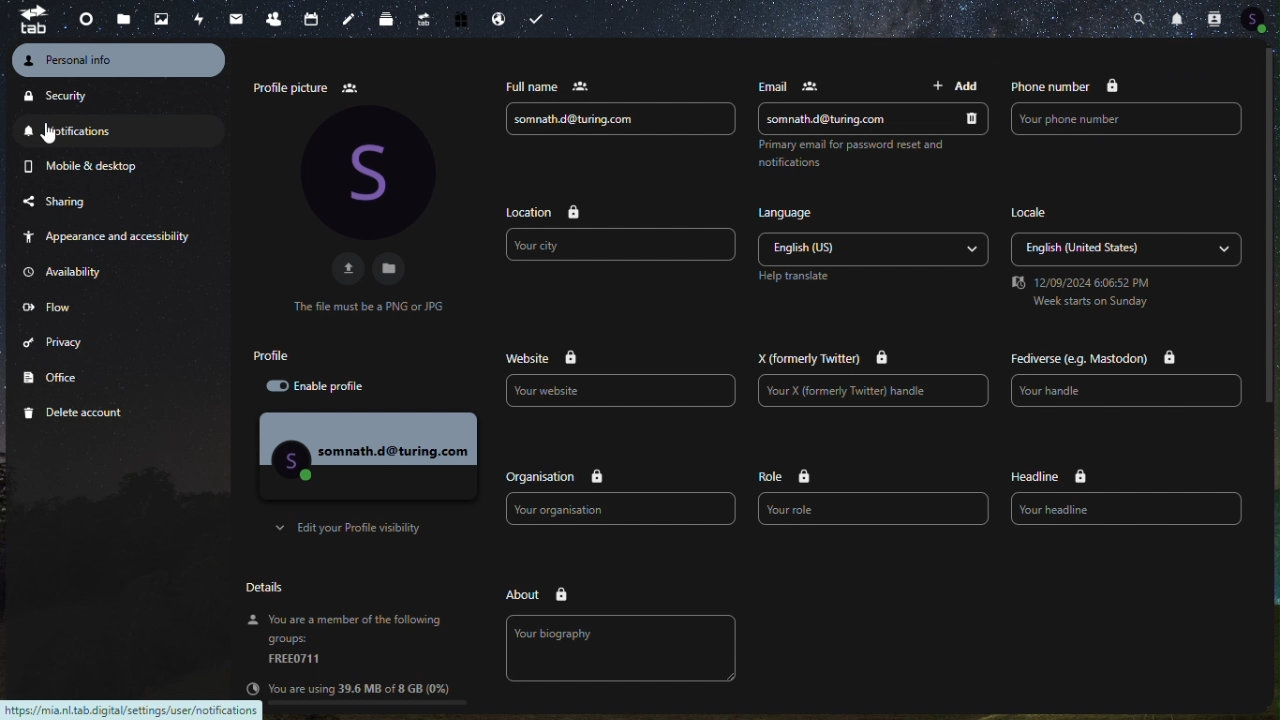 The image size is (1280, 720). Describe the element at coordinates (1032, 213) in the screenshot. I see `locale` at that location.